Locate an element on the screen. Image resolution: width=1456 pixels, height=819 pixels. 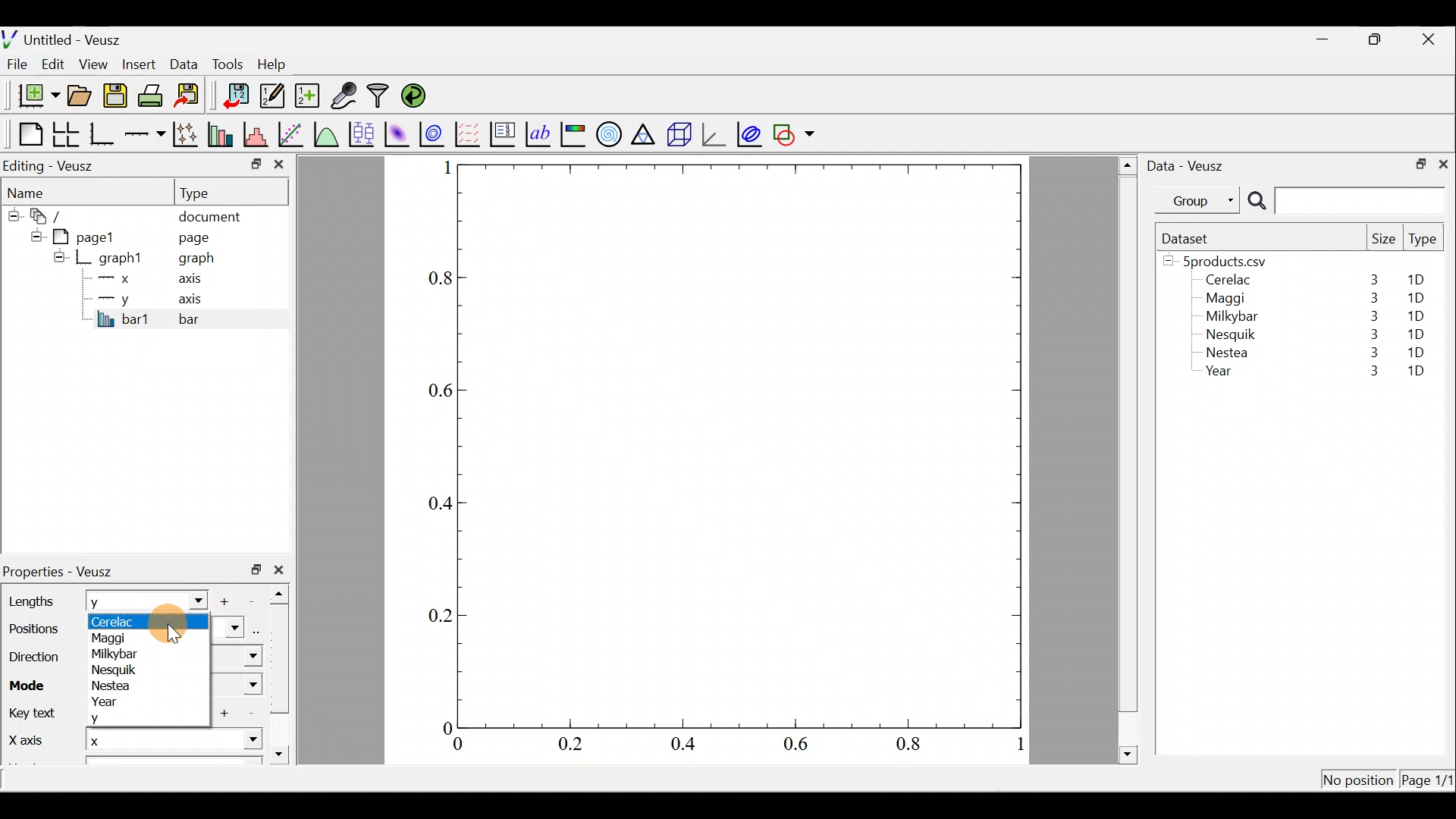
Editing - Veusz is located at coordinates (52, 165).